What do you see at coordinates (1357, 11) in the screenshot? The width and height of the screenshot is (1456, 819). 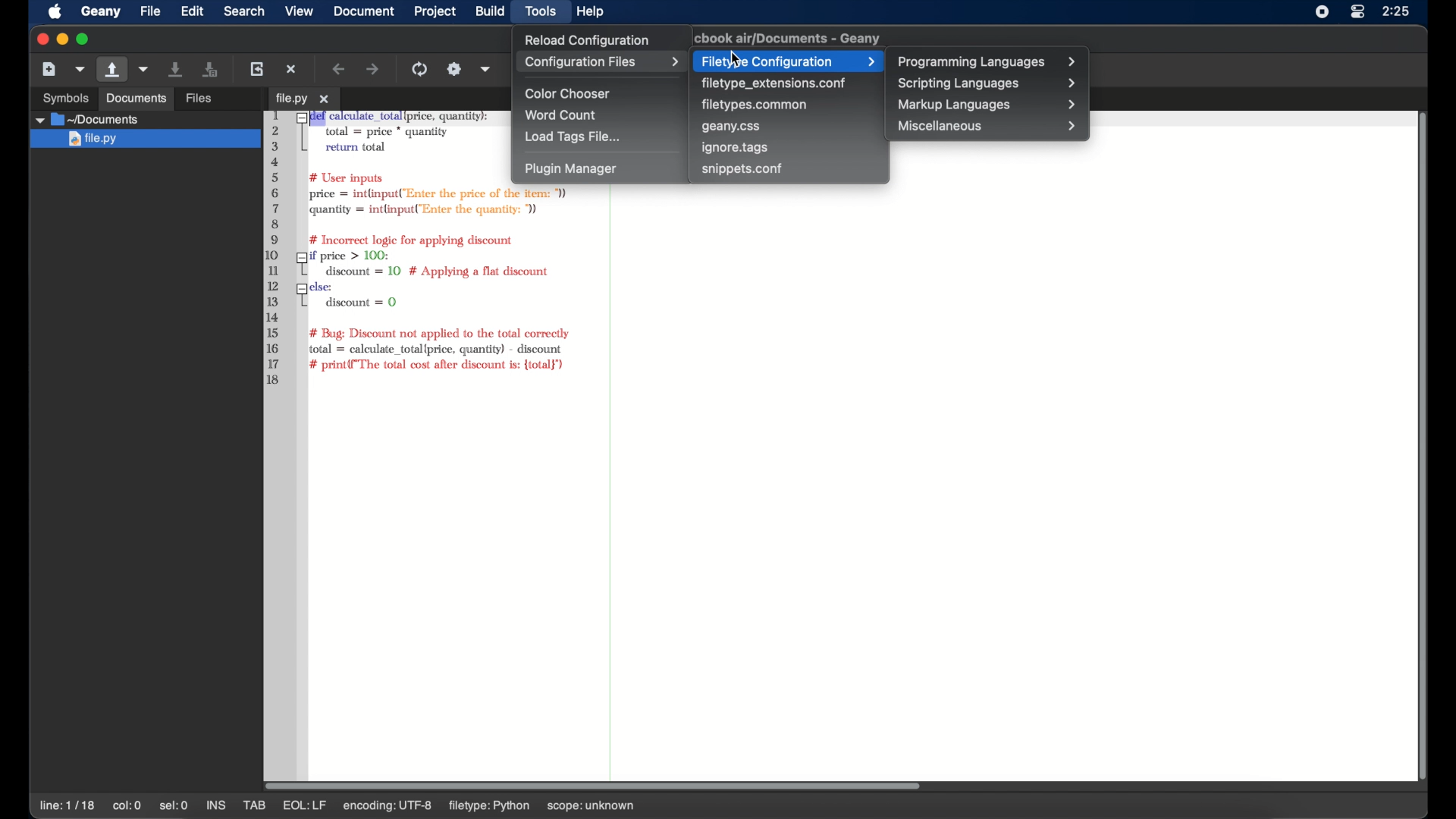 I see `control center` at bounding box center [1357, 11].